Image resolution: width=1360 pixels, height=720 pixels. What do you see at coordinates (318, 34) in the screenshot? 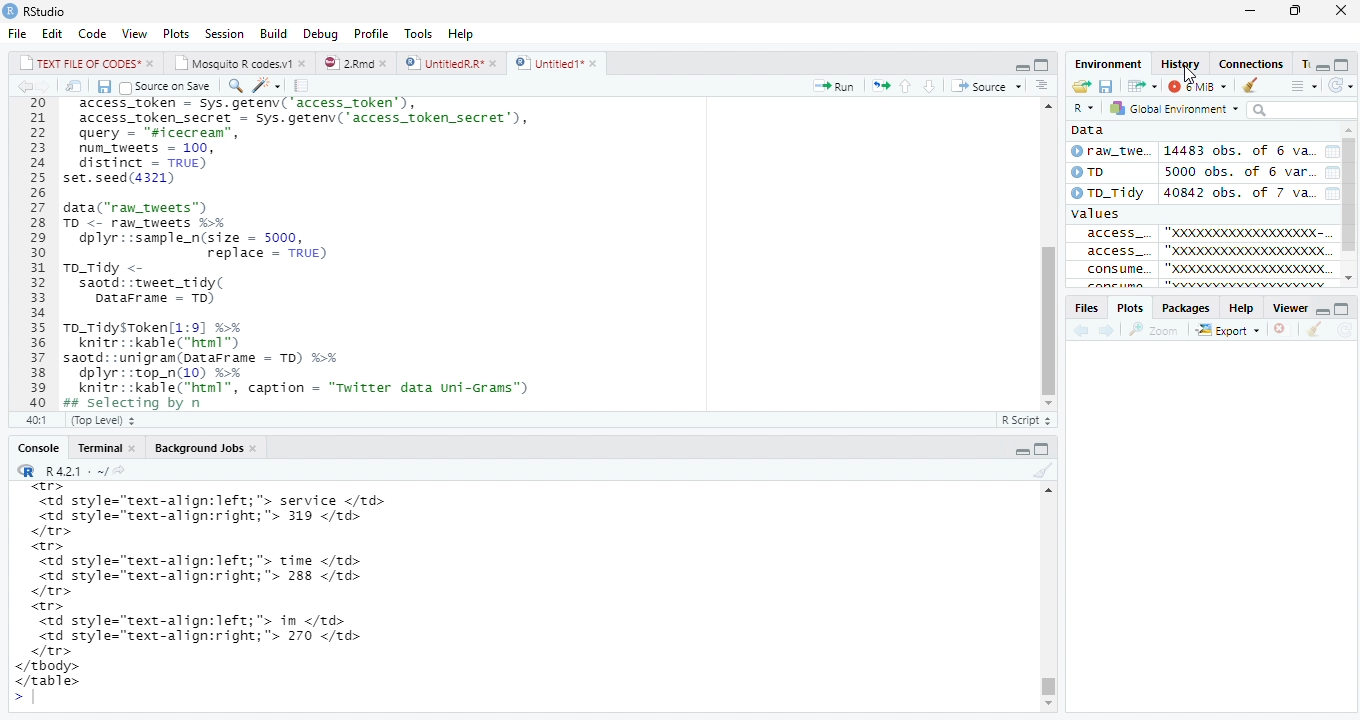
I see `Debug` at bounding box center [318, 34].